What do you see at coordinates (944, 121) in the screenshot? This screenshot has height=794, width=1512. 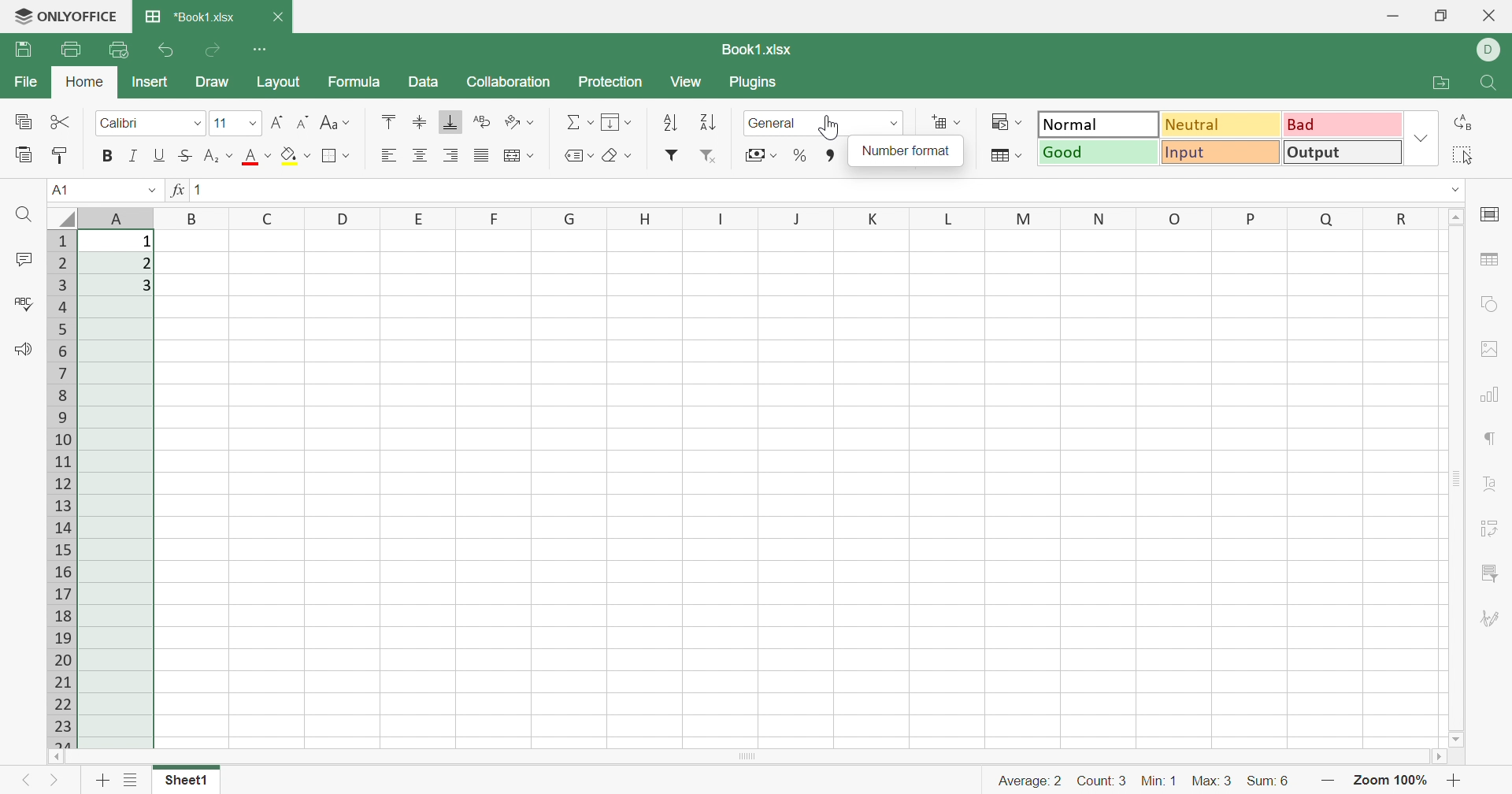 I see `Add cells` at bounding box center [944, 121].